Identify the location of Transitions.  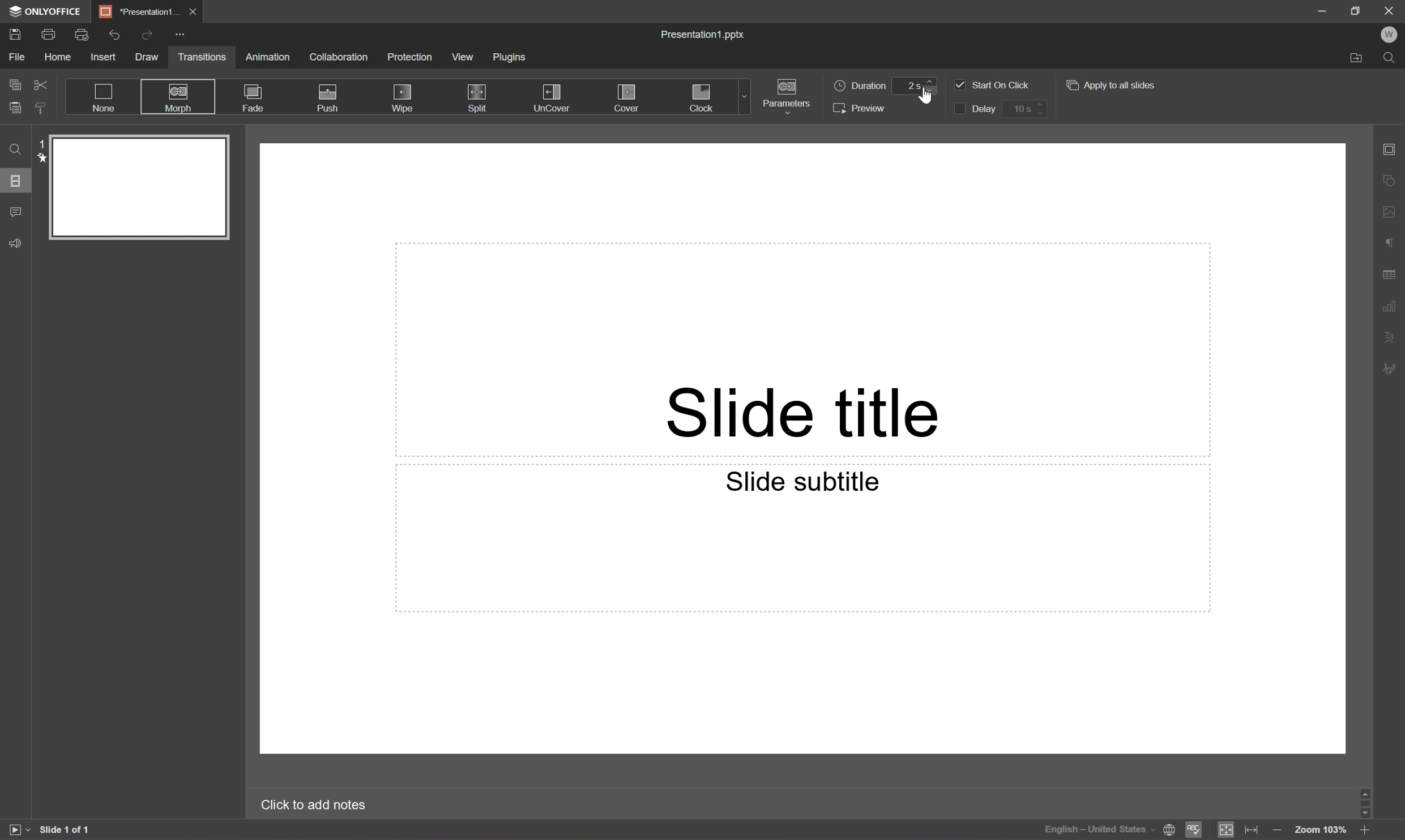
(202, 58).